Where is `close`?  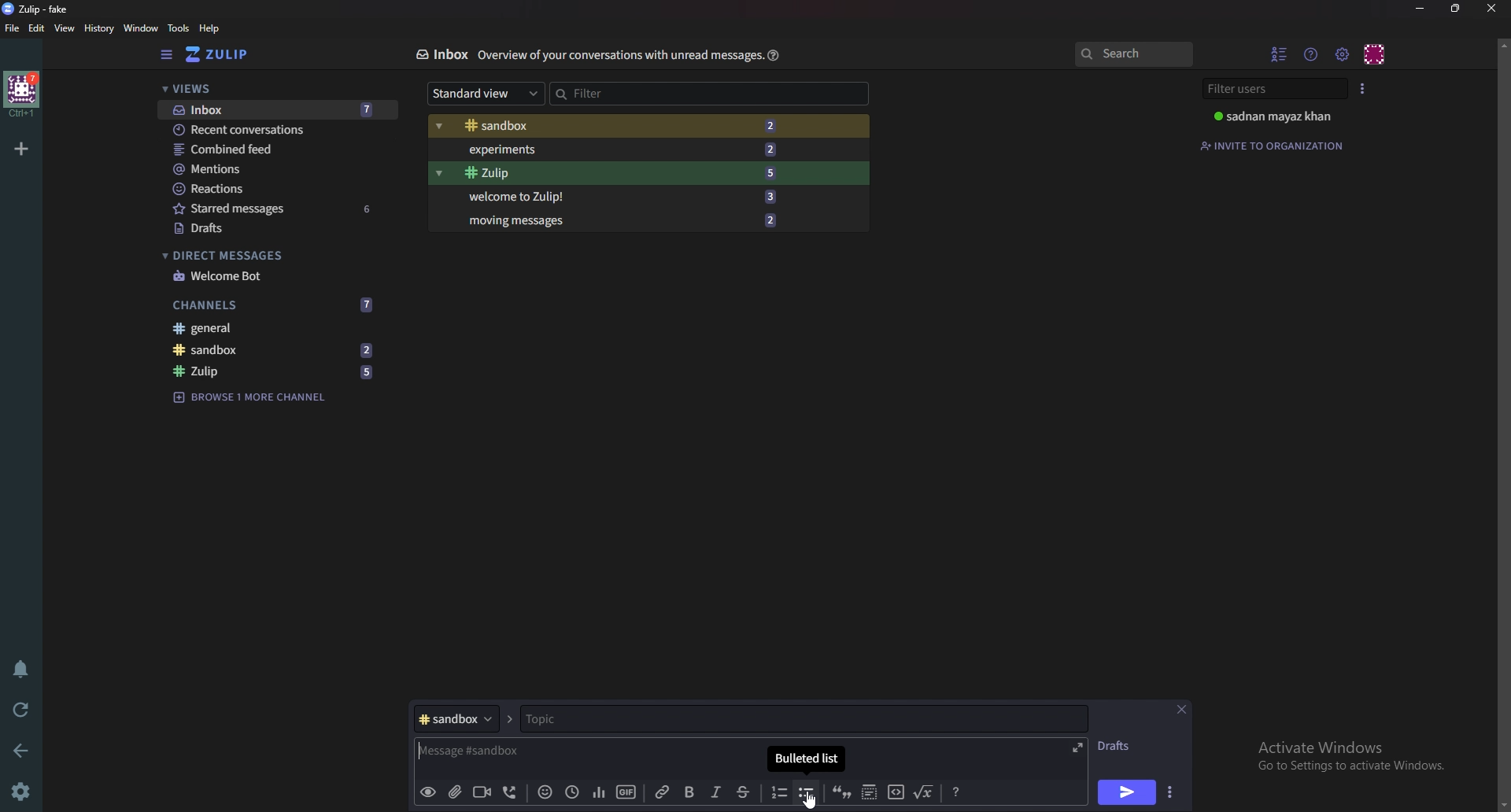
close is located at coordinates (1490, 8).